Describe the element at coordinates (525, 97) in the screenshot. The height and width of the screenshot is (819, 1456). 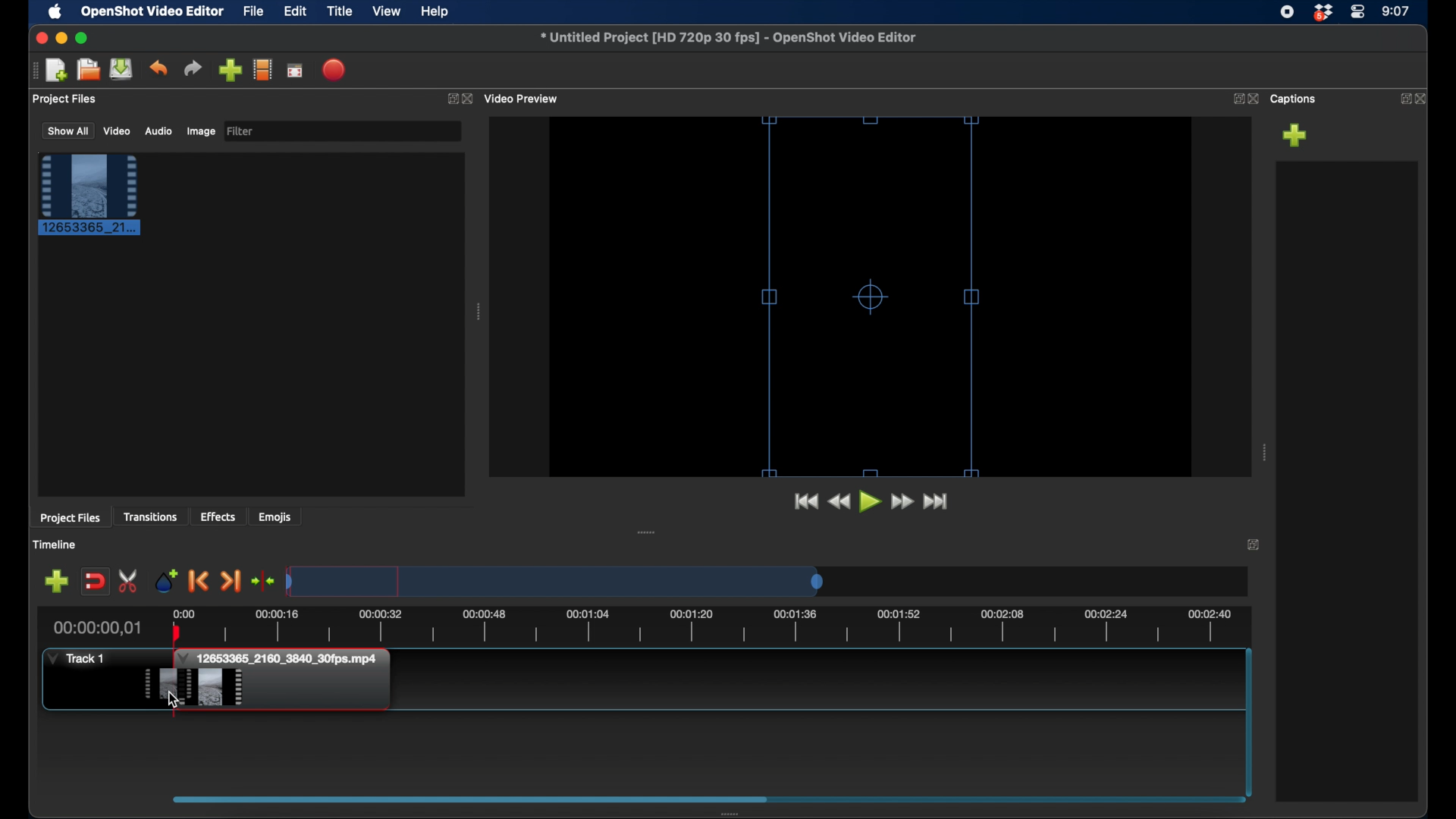
I see `video preview` at that location.